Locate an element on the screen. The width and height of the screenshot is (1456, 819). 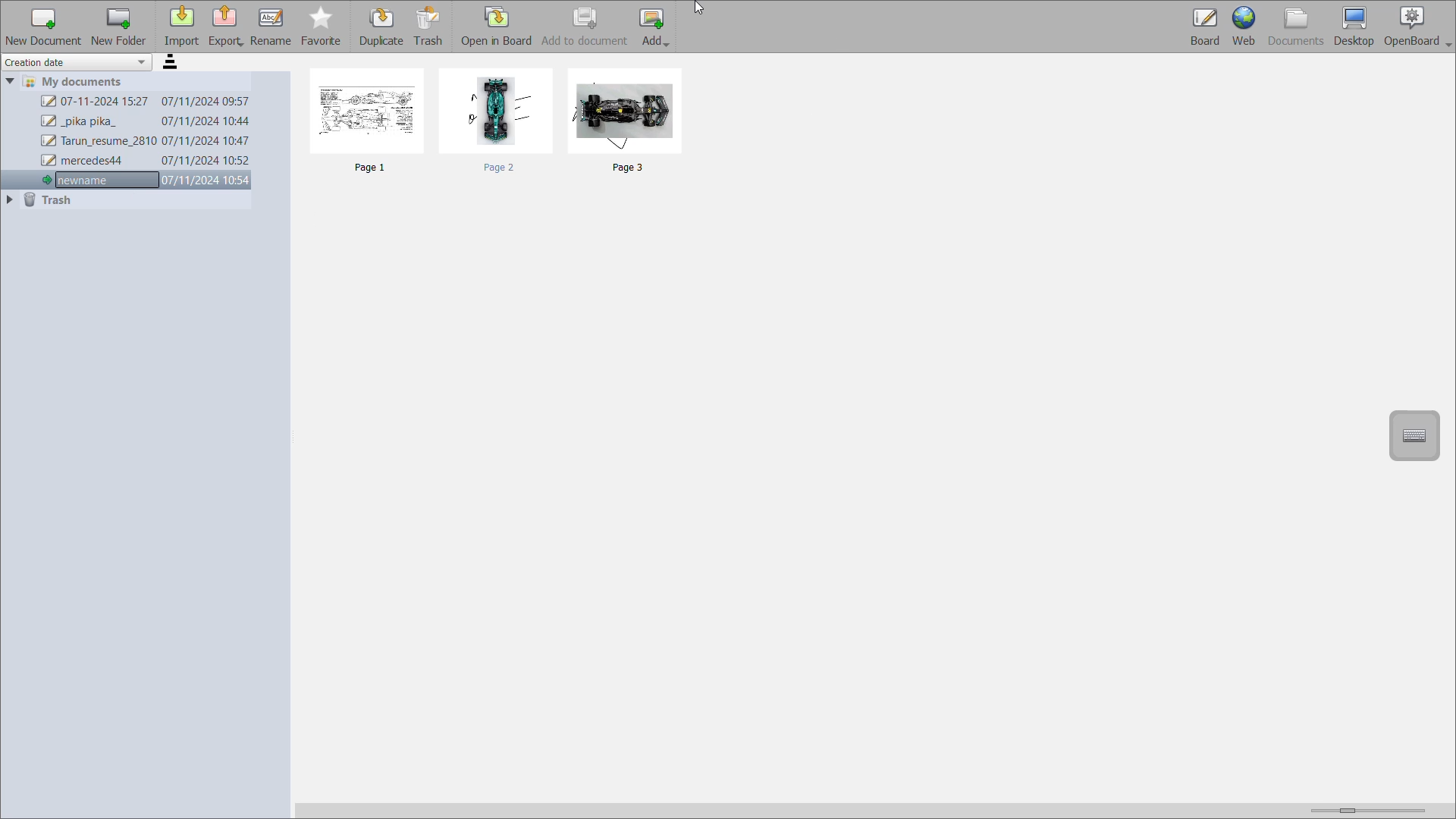
page3 is located at coordinates (628, 123).